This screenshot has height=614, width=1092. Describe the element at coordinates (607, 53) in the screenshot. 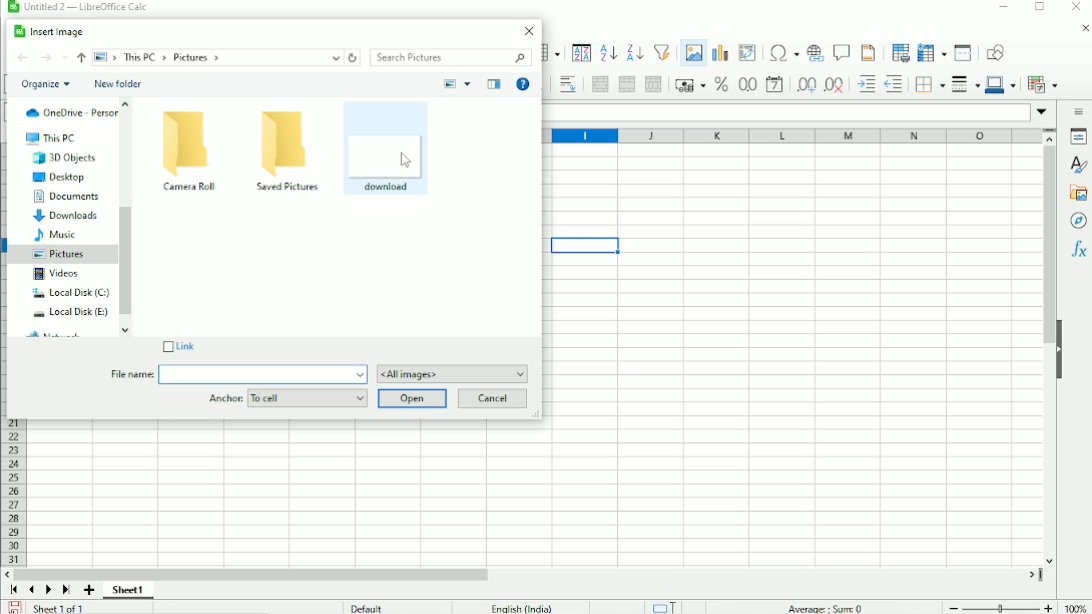

I see `Sort ascending` at that location.